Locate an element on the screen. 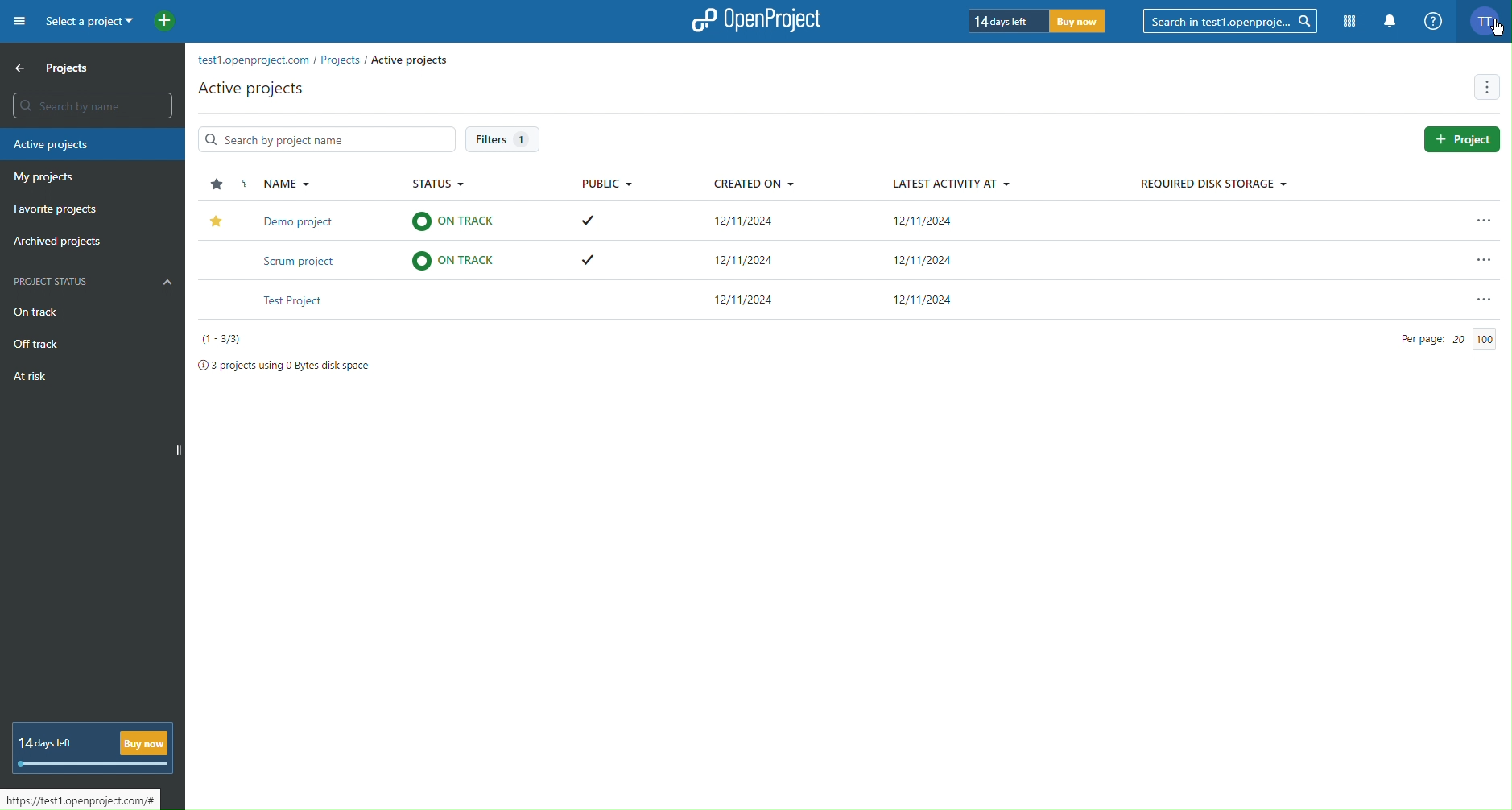 This screenshot has height=810, width=1512. Modules is located at coordinates (1350, 21).